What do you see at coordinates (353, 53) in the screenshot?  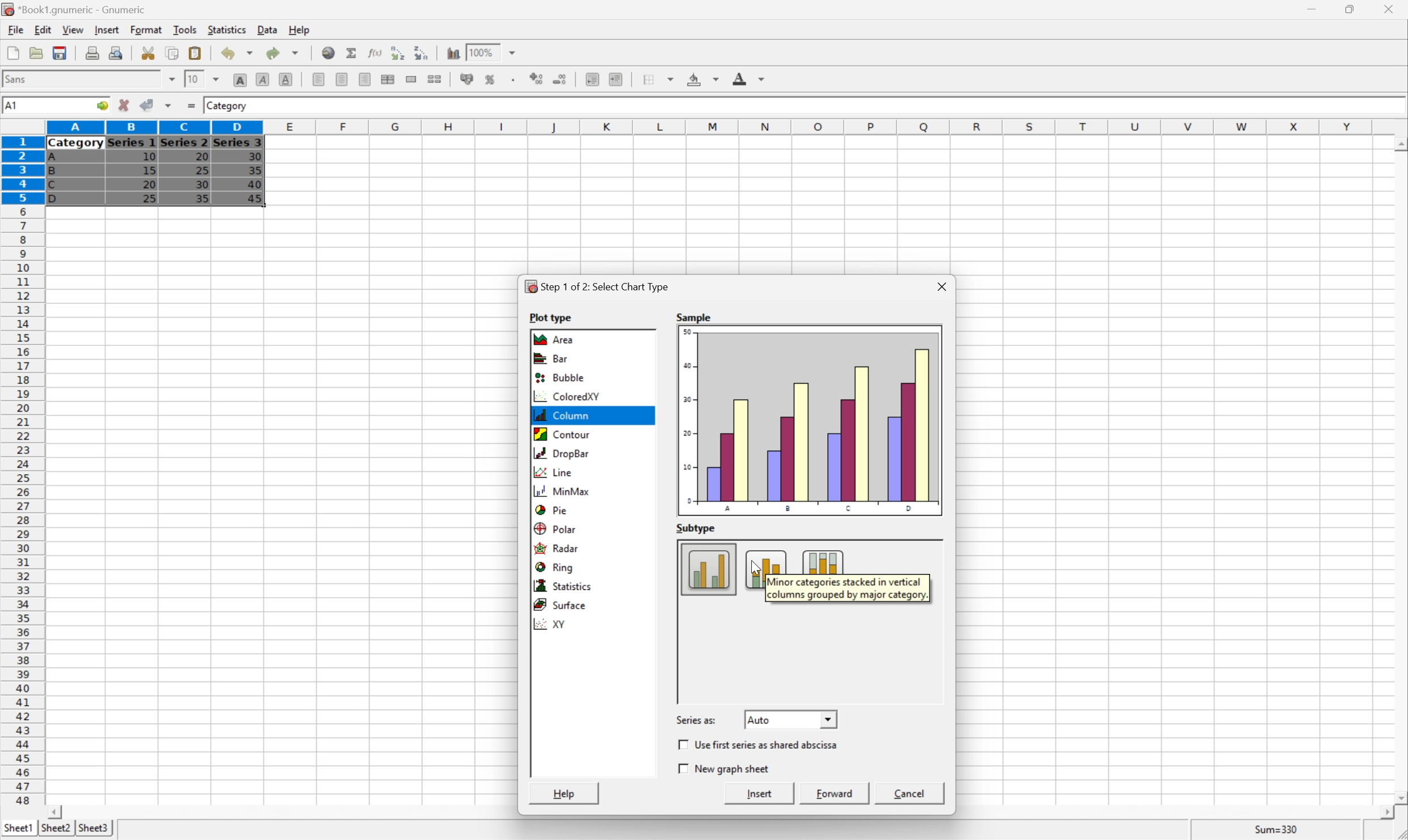 I see `Sum in current cell` at bounding box center [353, 53].